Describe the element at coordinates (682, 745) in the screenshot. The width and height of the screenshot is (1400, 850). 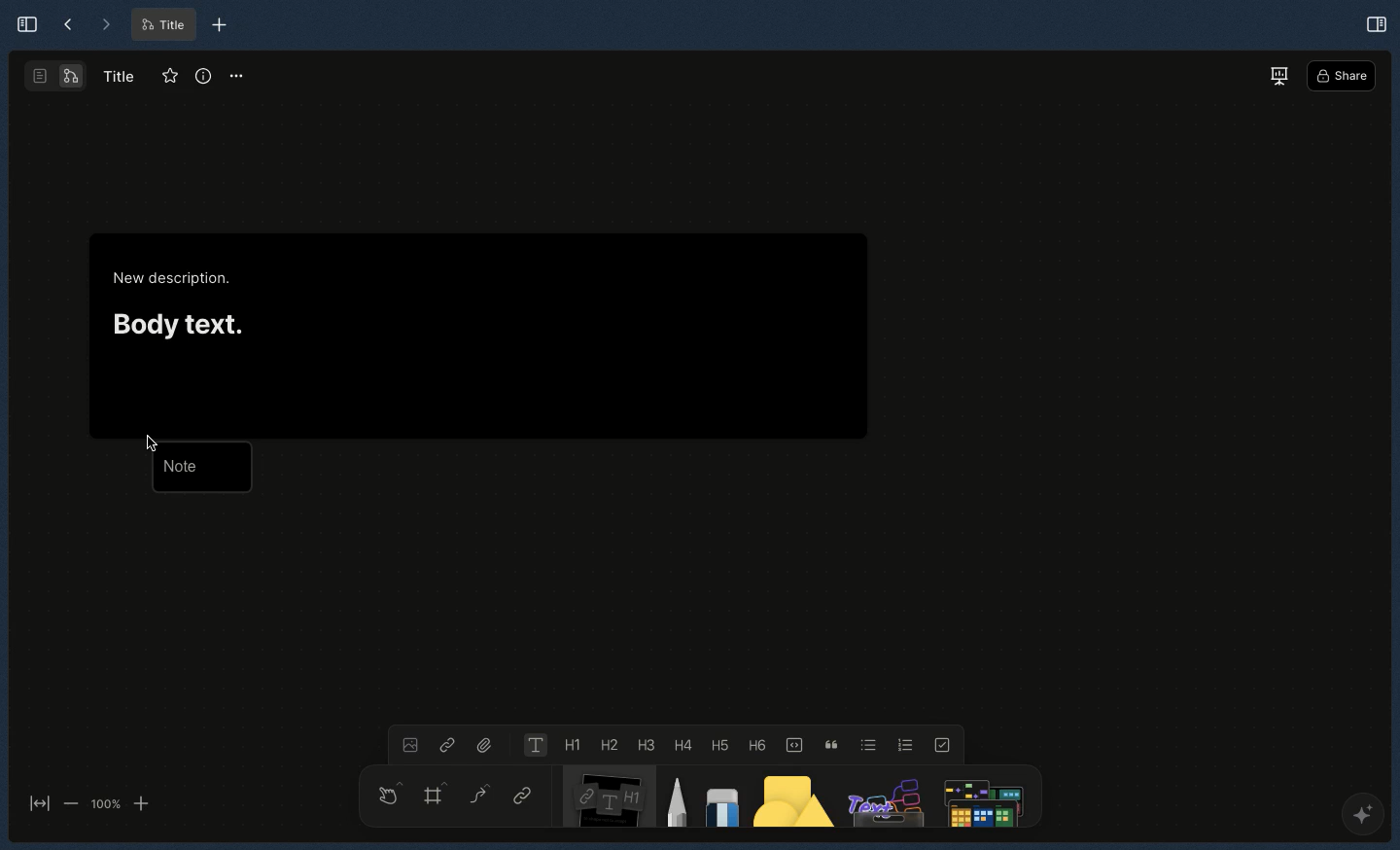
I see `Heading 4` at that location.